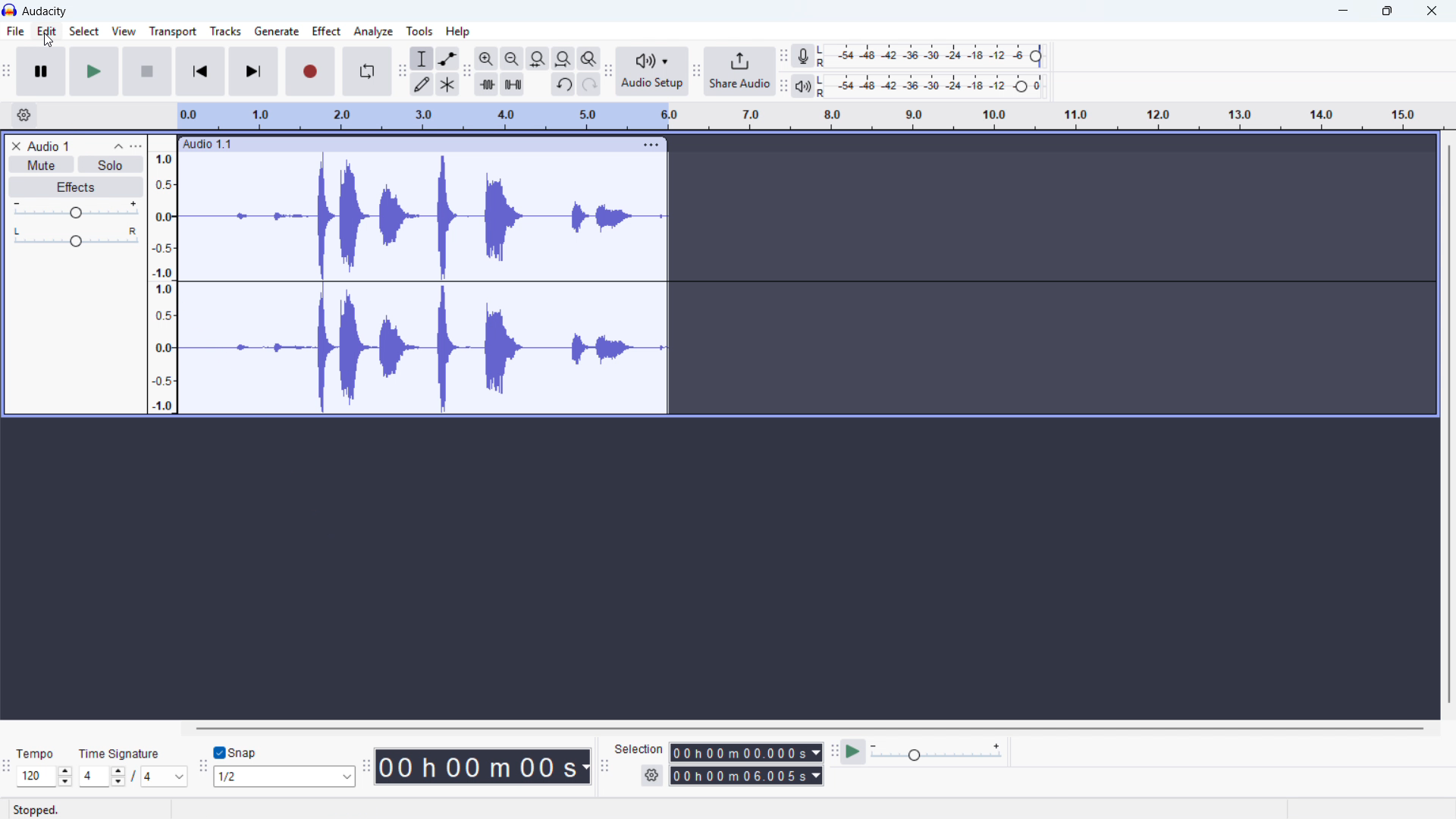 The height and width of the screenshot is (819, 1456). What do you see at coordinates (741, 71) in the screenshot?
I see `share audio` at bounding box center [741, 71].